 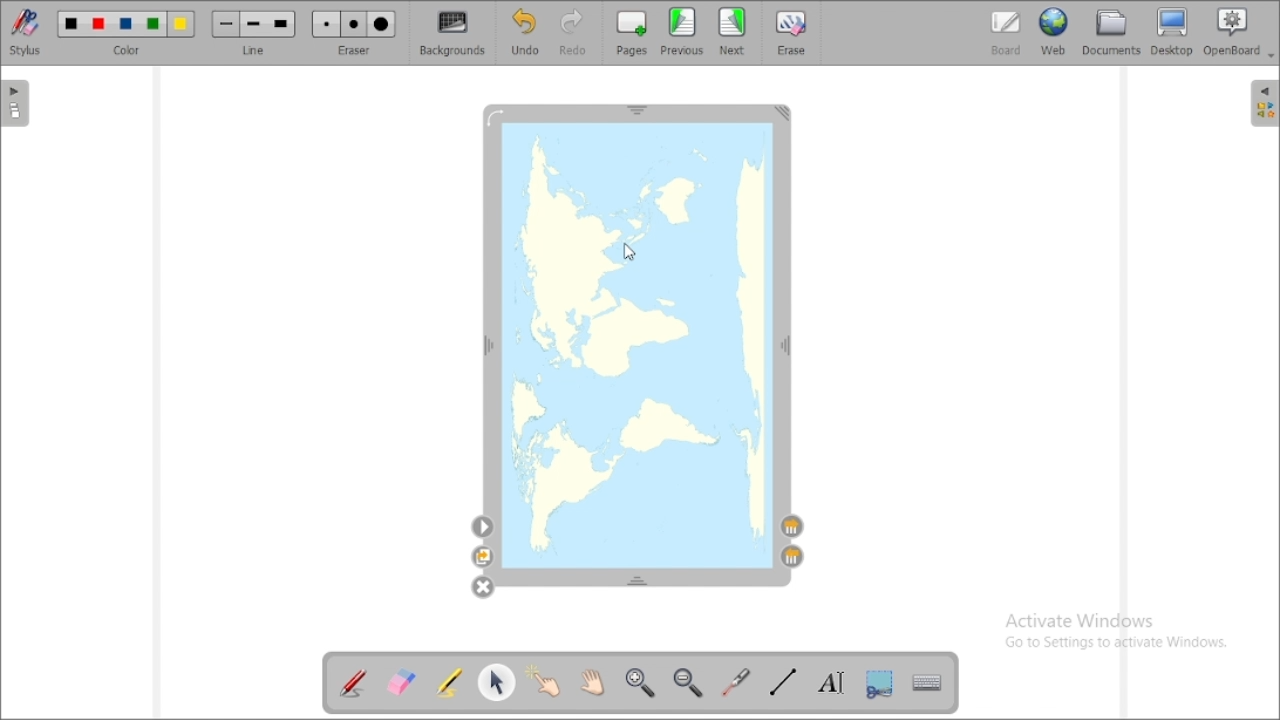 What do you see at coordinates (448, 682) in the screenshot?
I see `highlight` at bounding box center [448, 682].